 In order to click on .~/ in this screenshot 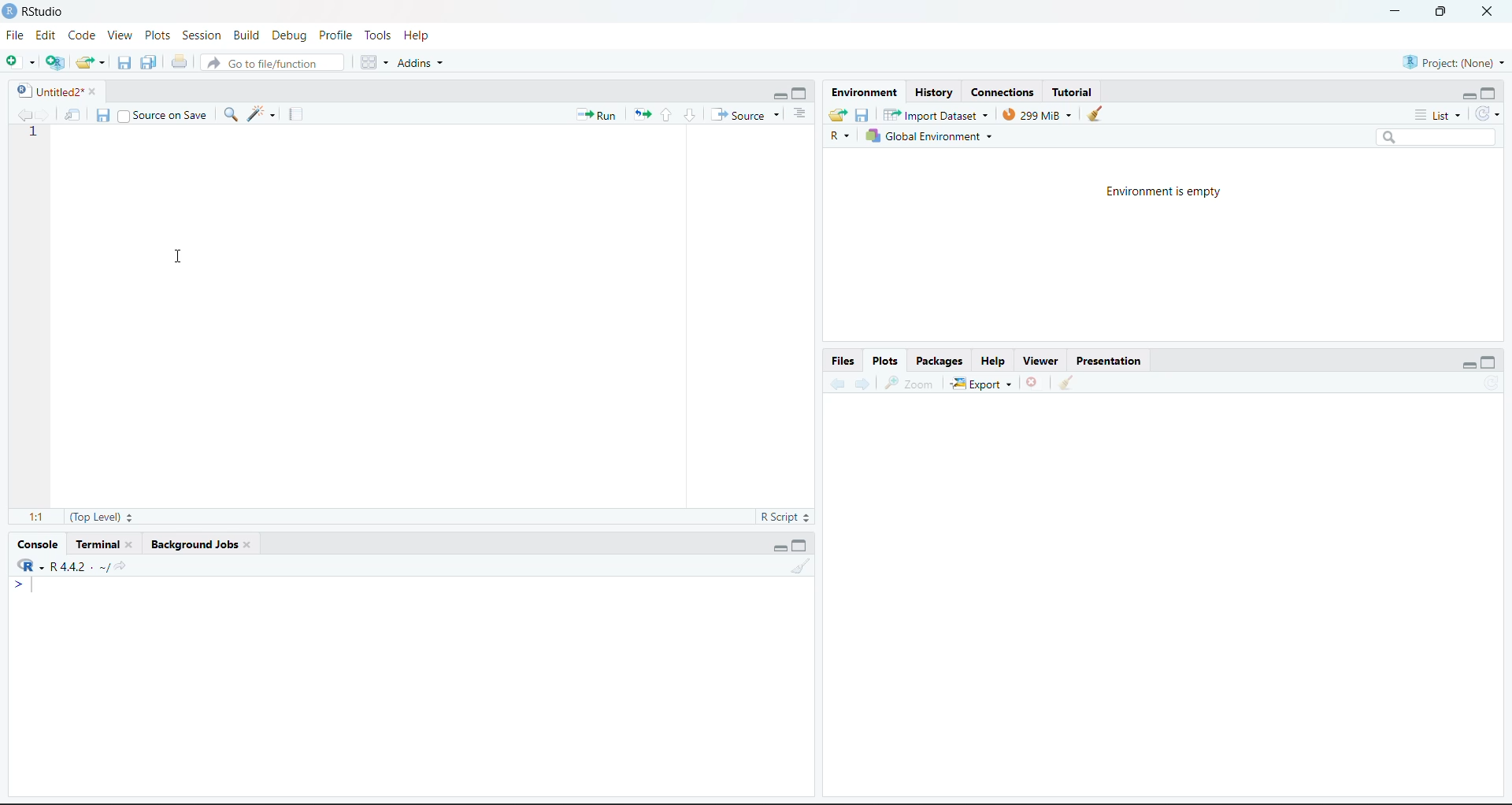, I will do `click(103, 567)`.